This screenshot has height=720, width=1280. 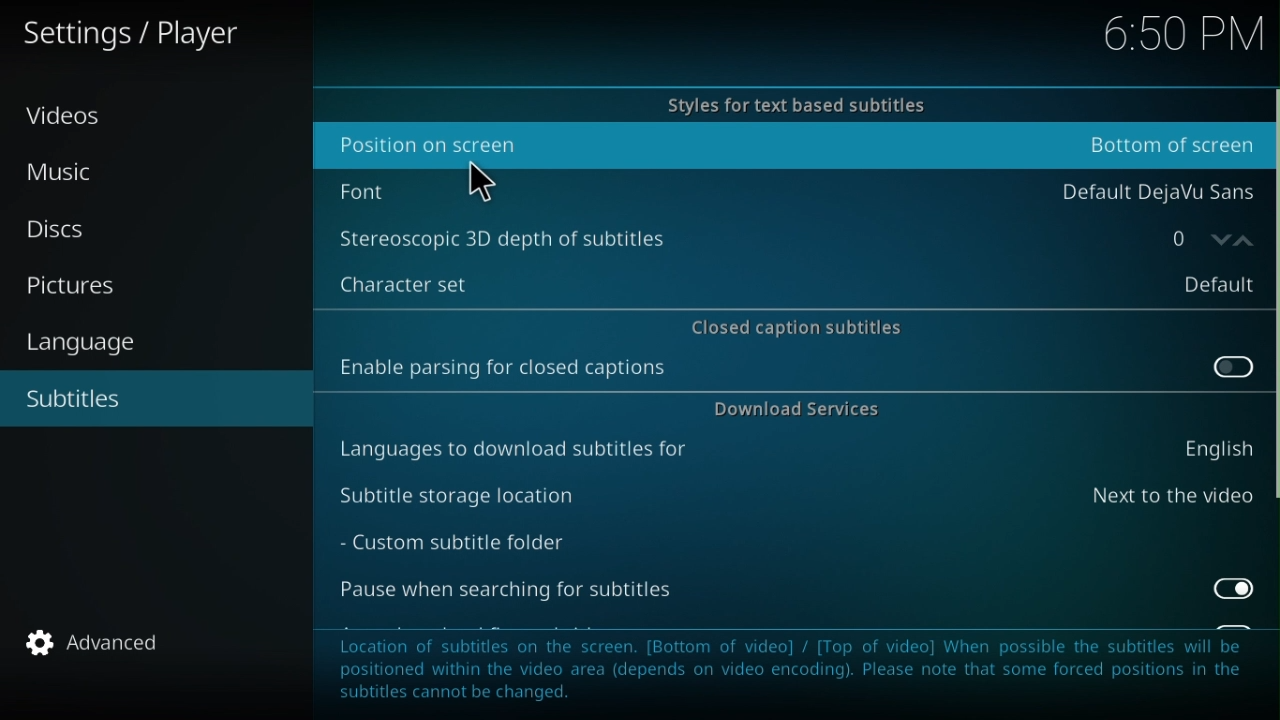 I want to click on Enable parsing for closed captions, so click(x=793, y=372).